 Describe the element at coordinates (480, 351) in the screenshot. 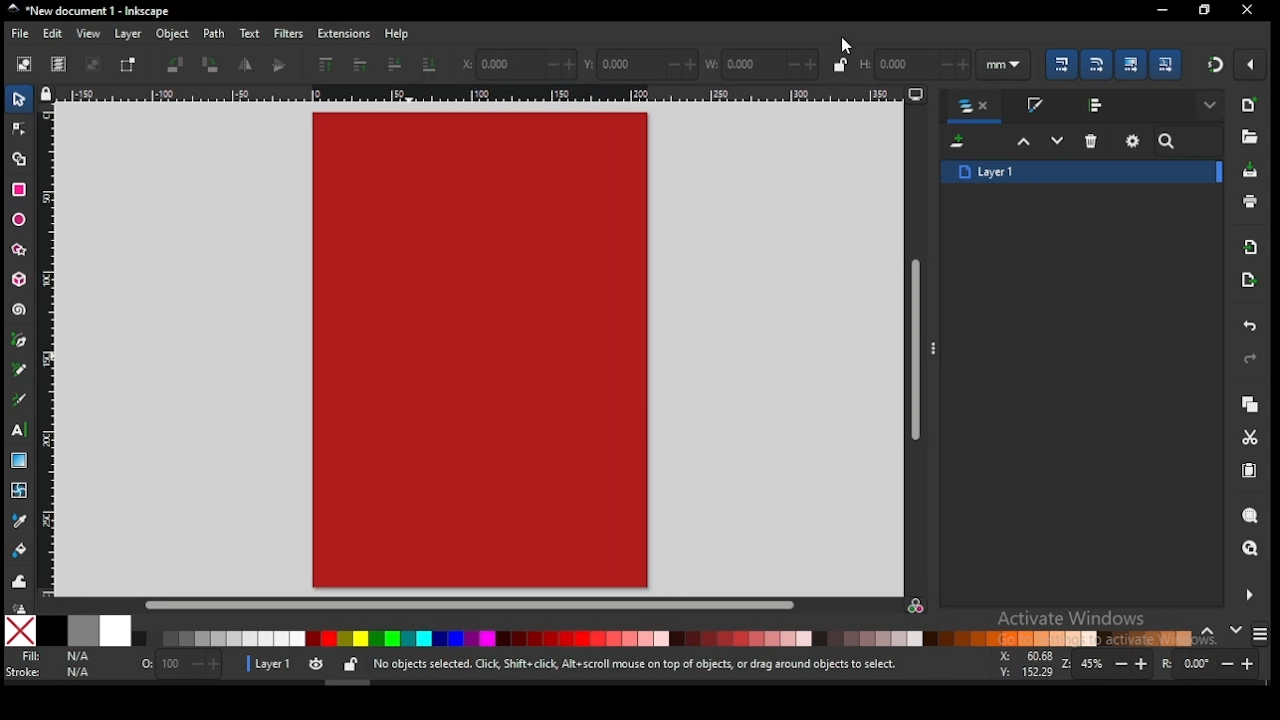

I see `document (red color)` at that location.